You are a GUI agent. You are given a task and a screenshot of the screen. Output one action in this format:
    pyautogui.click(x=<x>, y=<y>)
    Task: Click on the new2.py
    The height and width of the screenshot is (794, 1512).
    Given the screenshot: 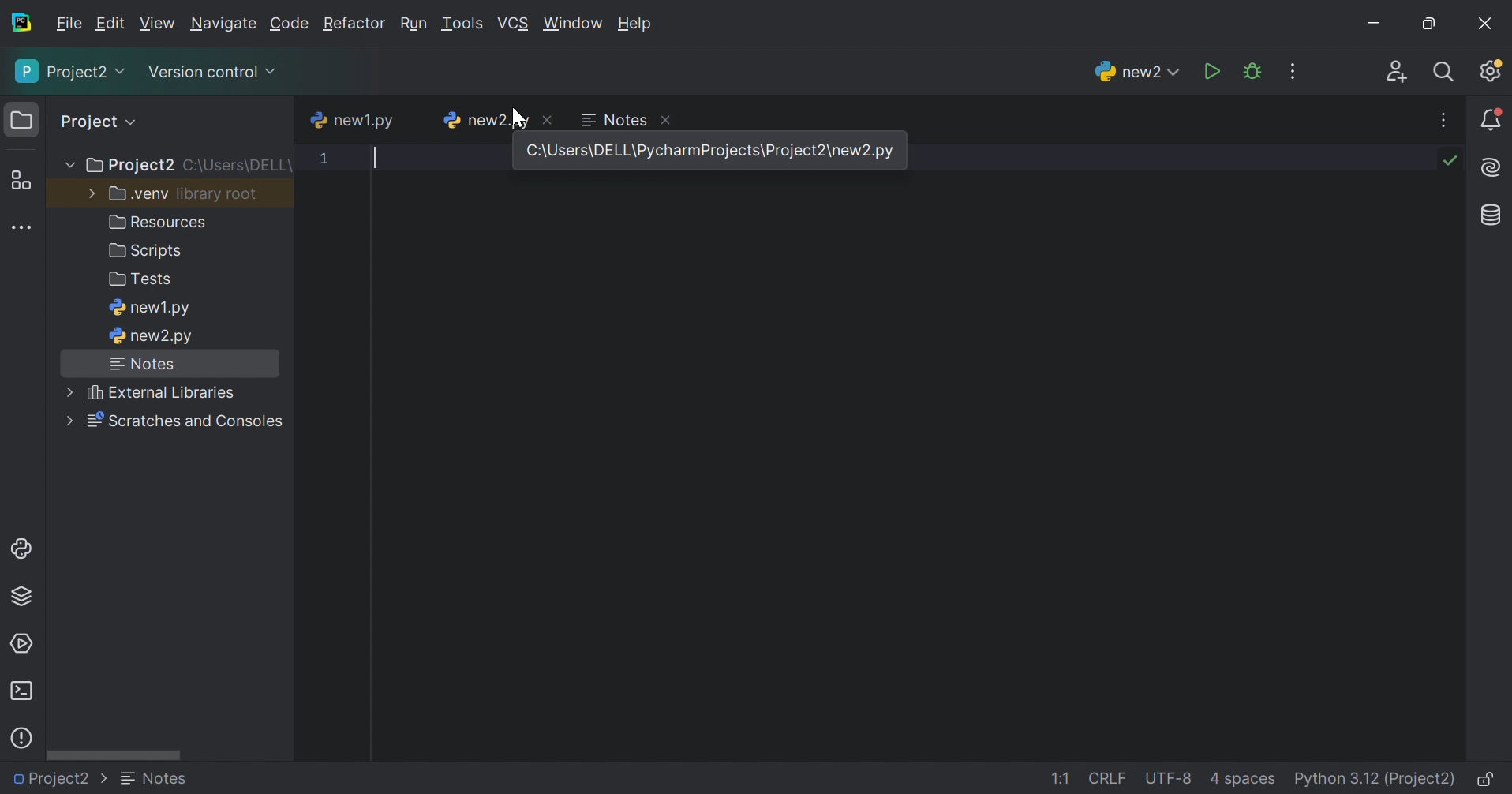 What is the action you would take?
    pyautogui.click(x=1133, y=70)
    